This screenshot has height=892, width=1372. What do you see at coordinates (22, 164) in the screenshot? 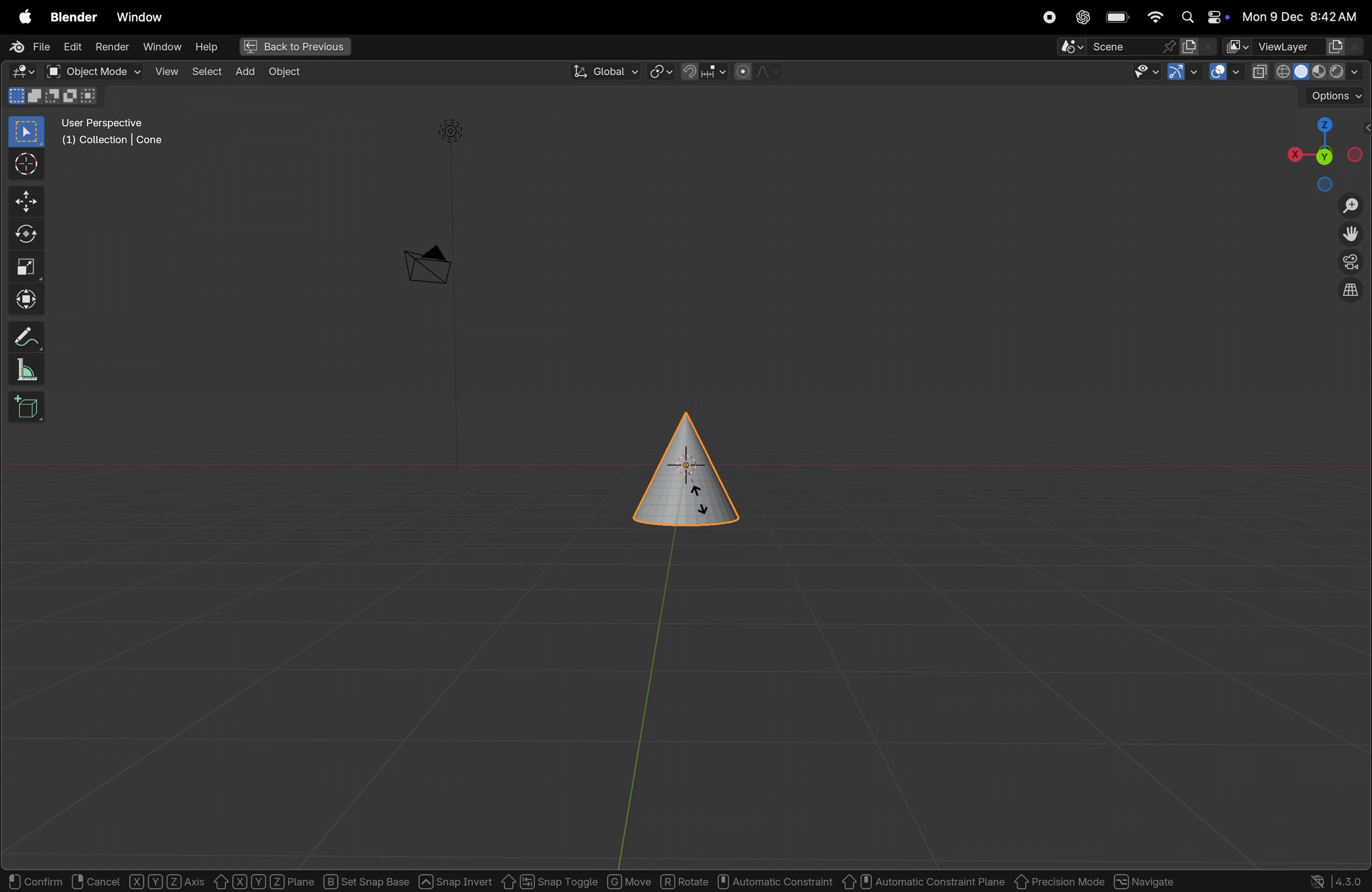
I see `cursor` at bounding box center [22, 164].